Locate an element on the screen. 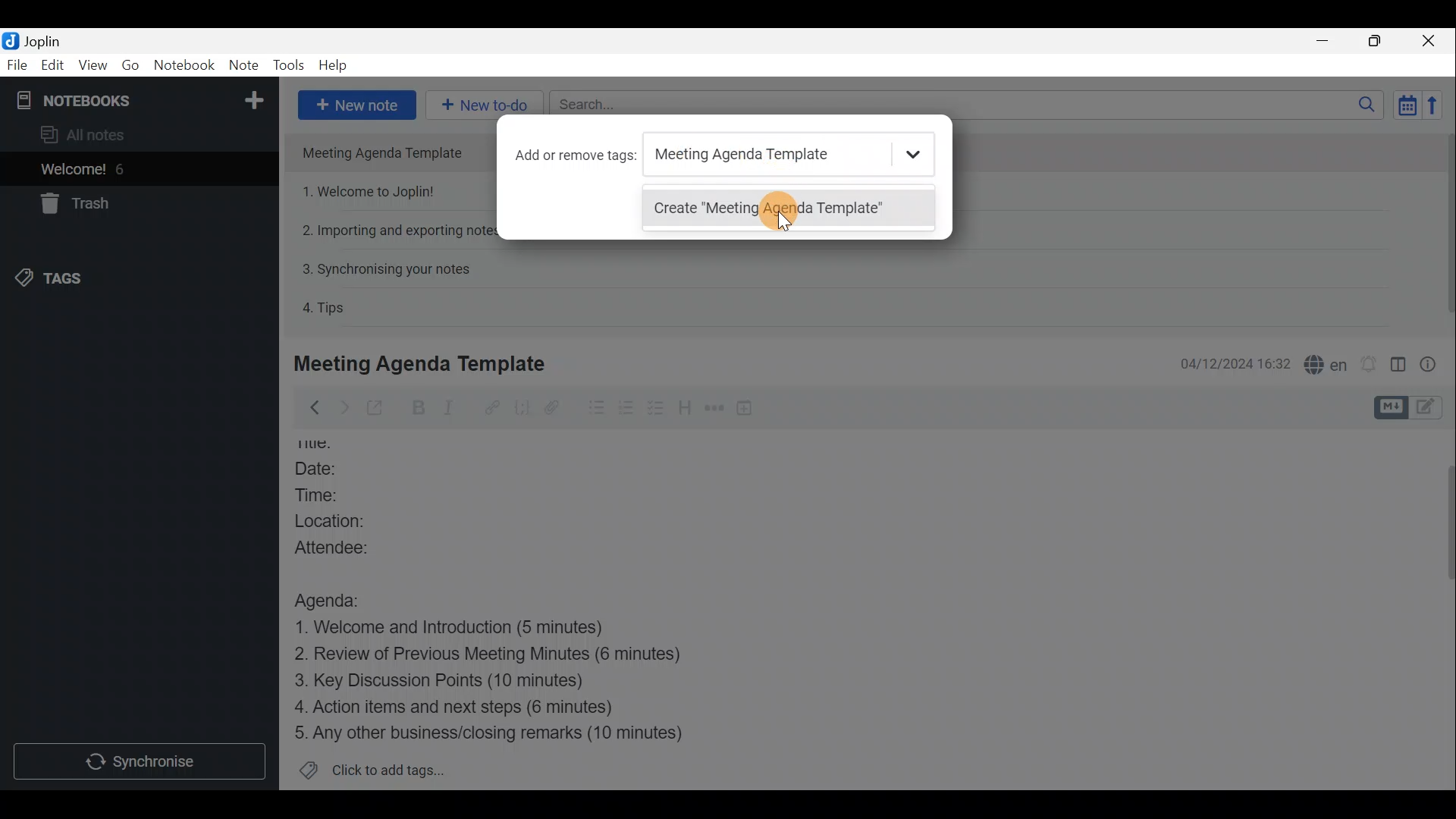 The height and width of the screenshot is (819, 1456). 4. Action items and next steps (6 minutes) is located at coordinates (479, 706).